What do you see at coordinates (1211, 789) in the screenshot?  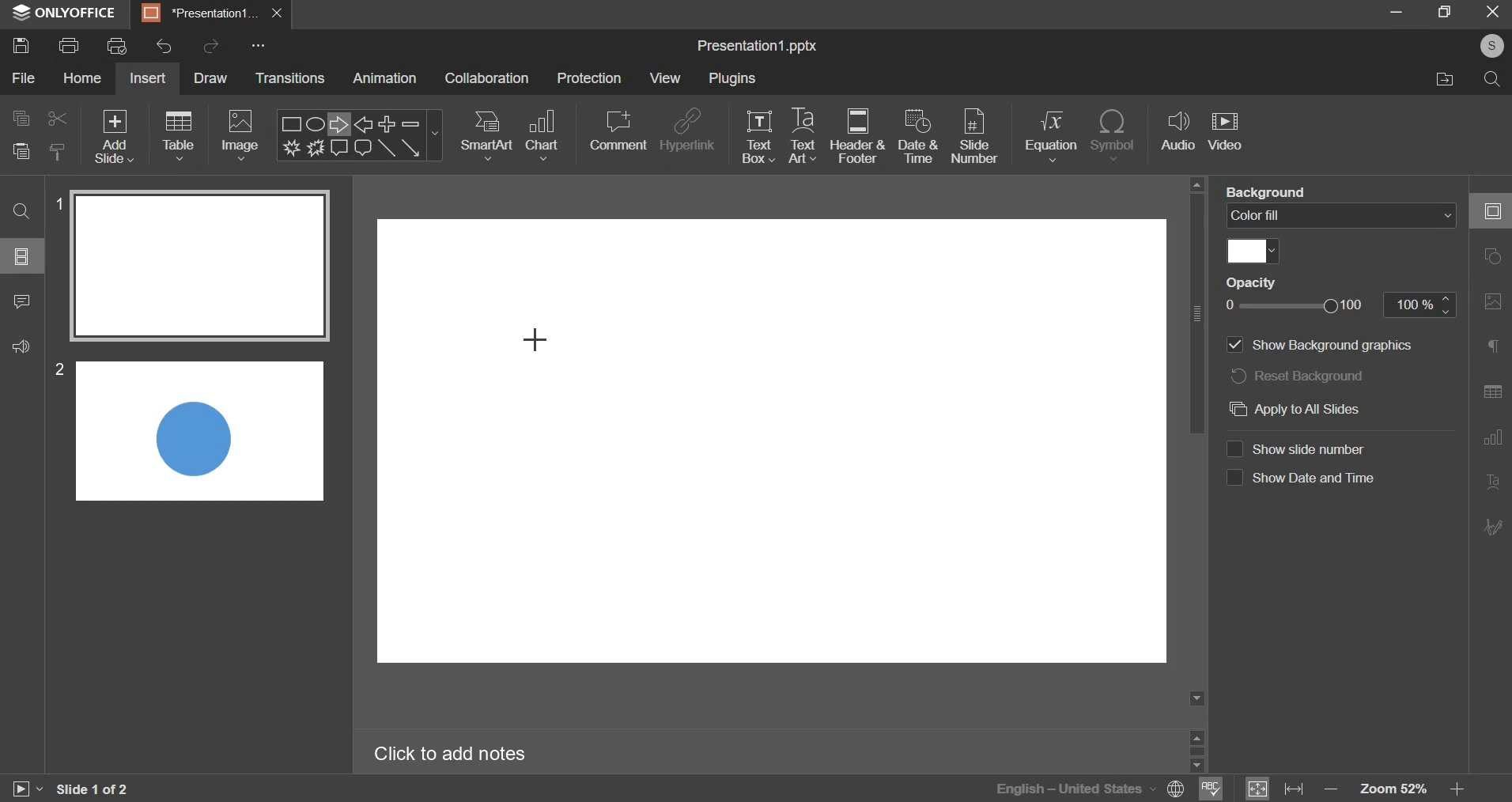 I see `spell check` at bounding box center [1211, 789].